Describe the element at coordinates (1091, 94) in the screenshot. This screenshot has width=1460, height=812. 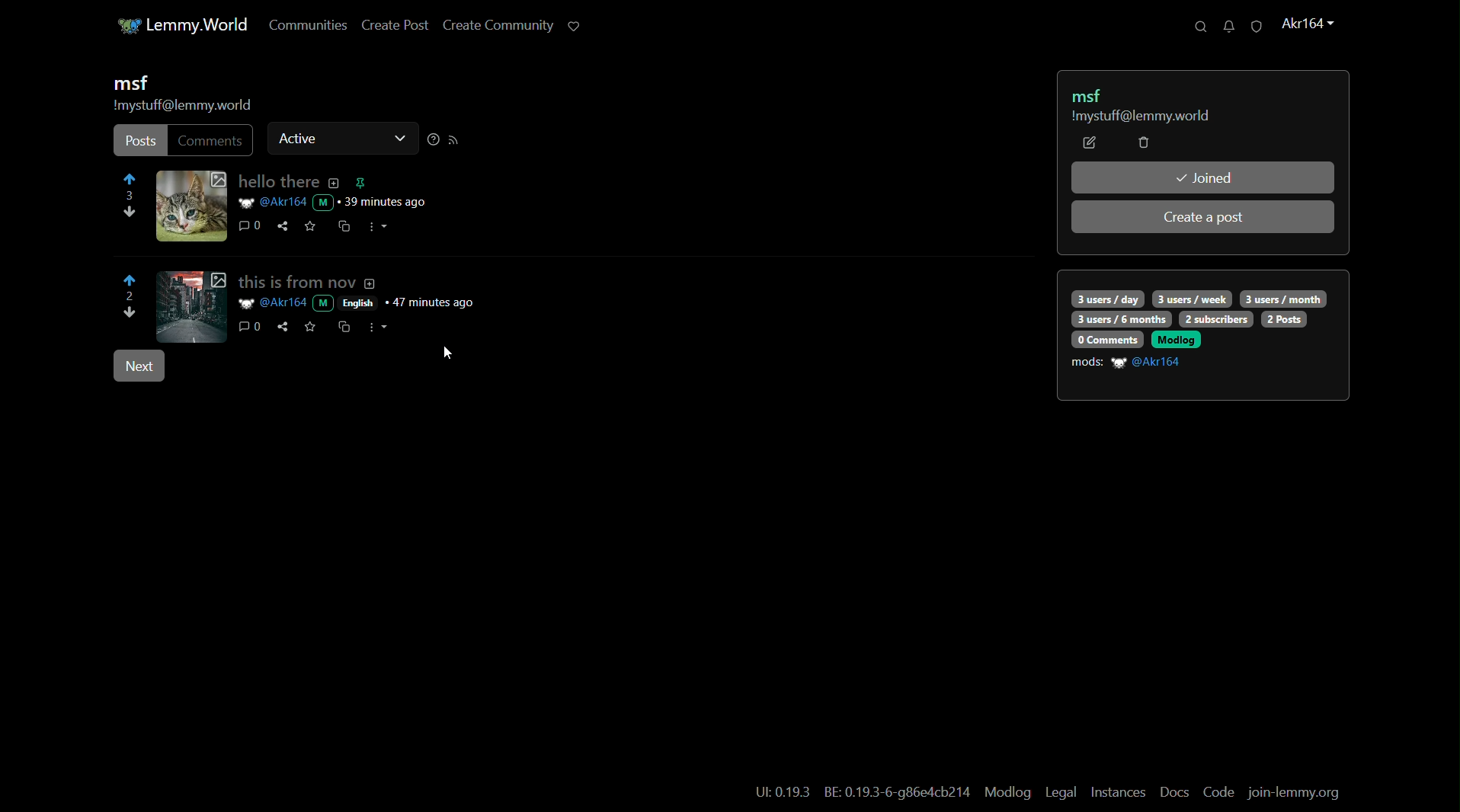
I see `community name` at that location.